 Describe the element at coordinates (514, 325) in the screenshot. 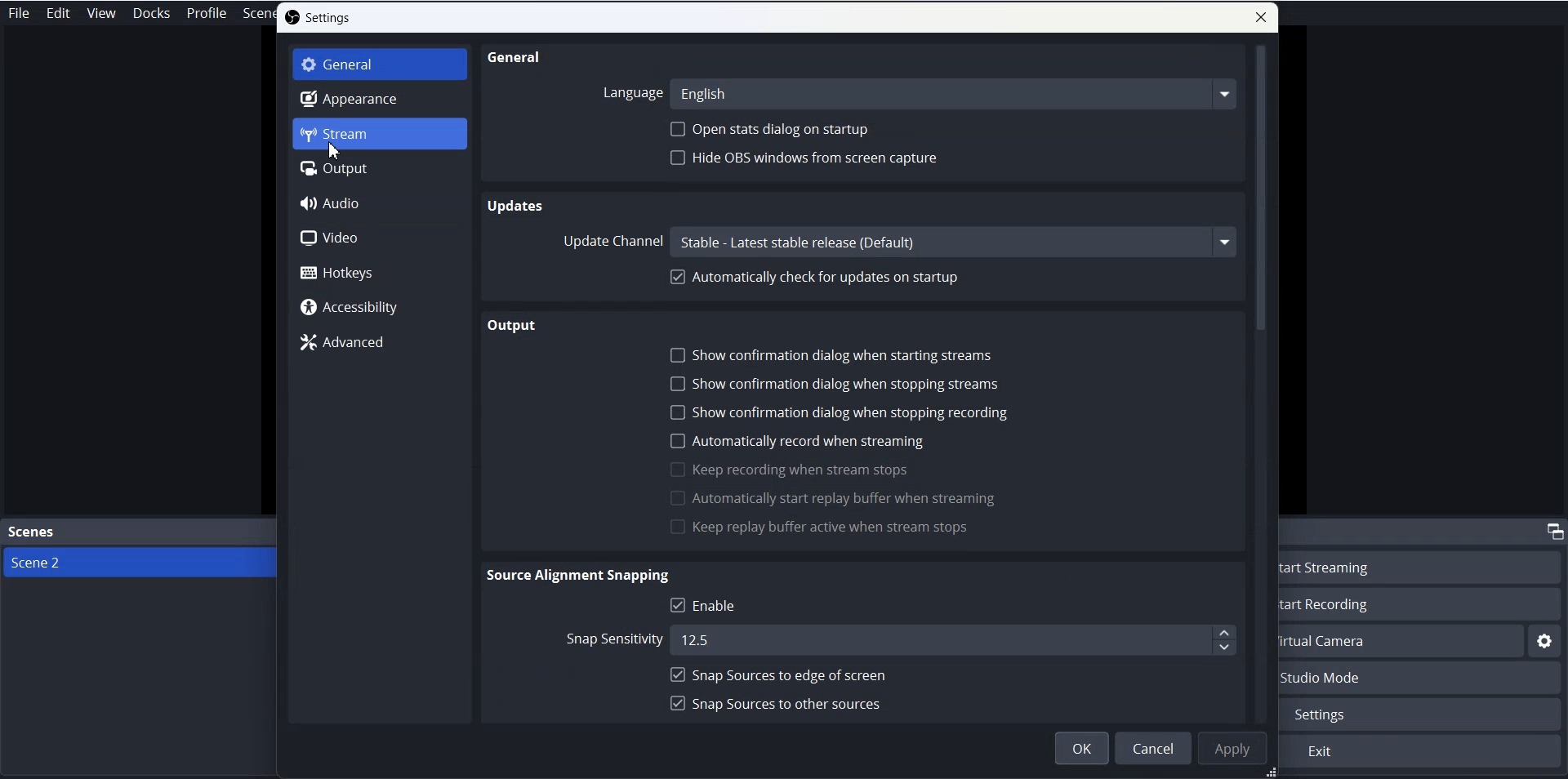

I see `Output` at that location.